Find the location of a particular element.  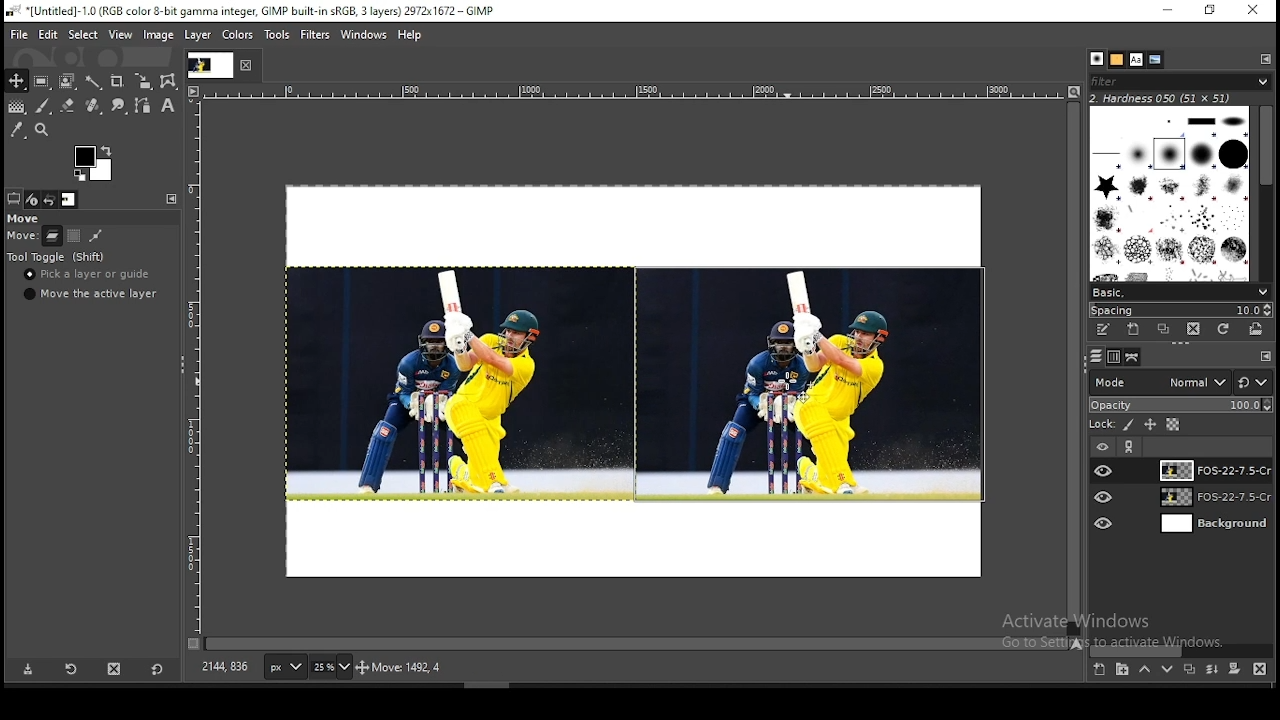

delete brush is located at coordinates (1193, 329).